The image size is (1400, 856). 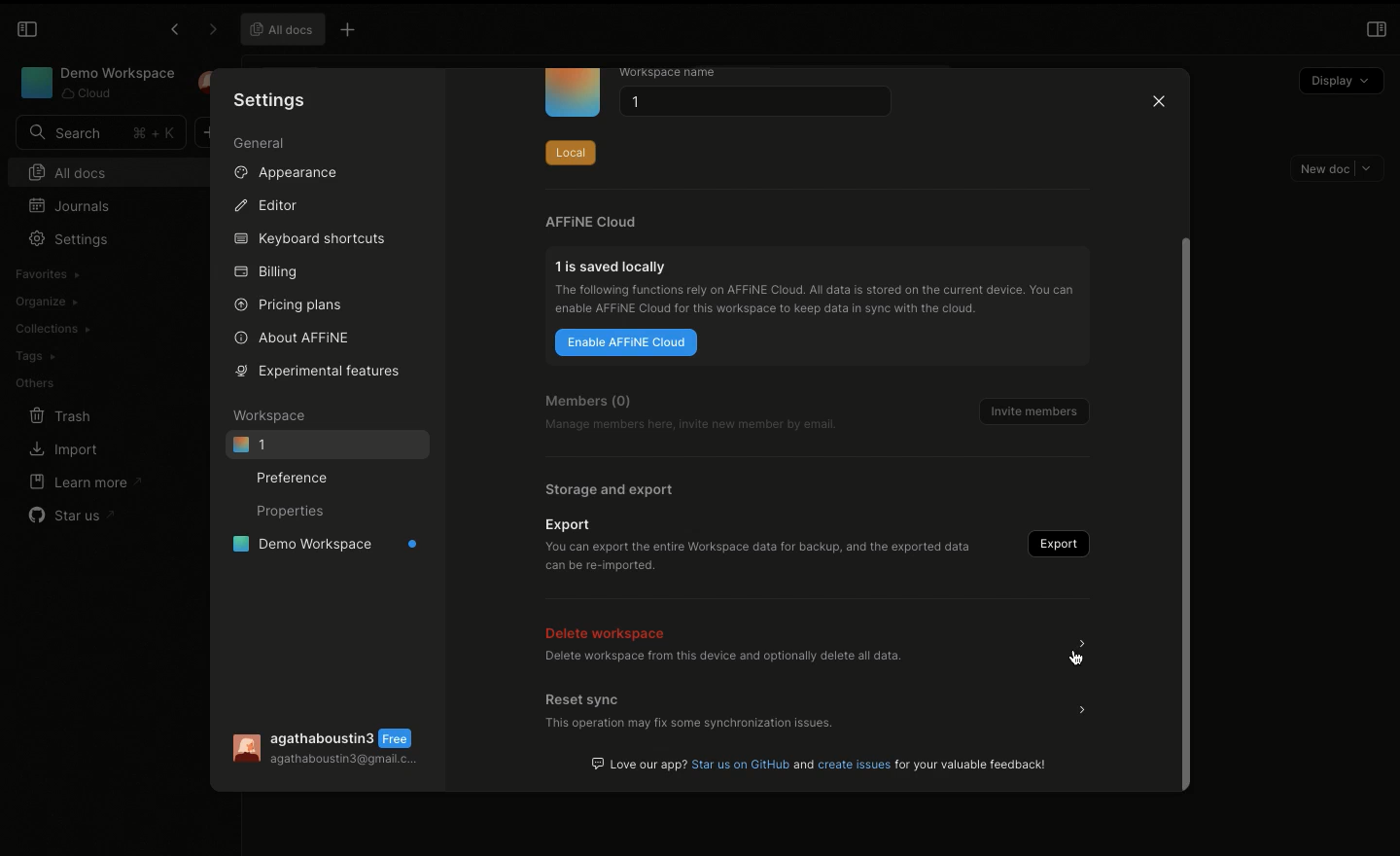 What do you see at coordinates (294, 176) in the screenshot?
I see `Appearance` at bounding box center [294, 176].